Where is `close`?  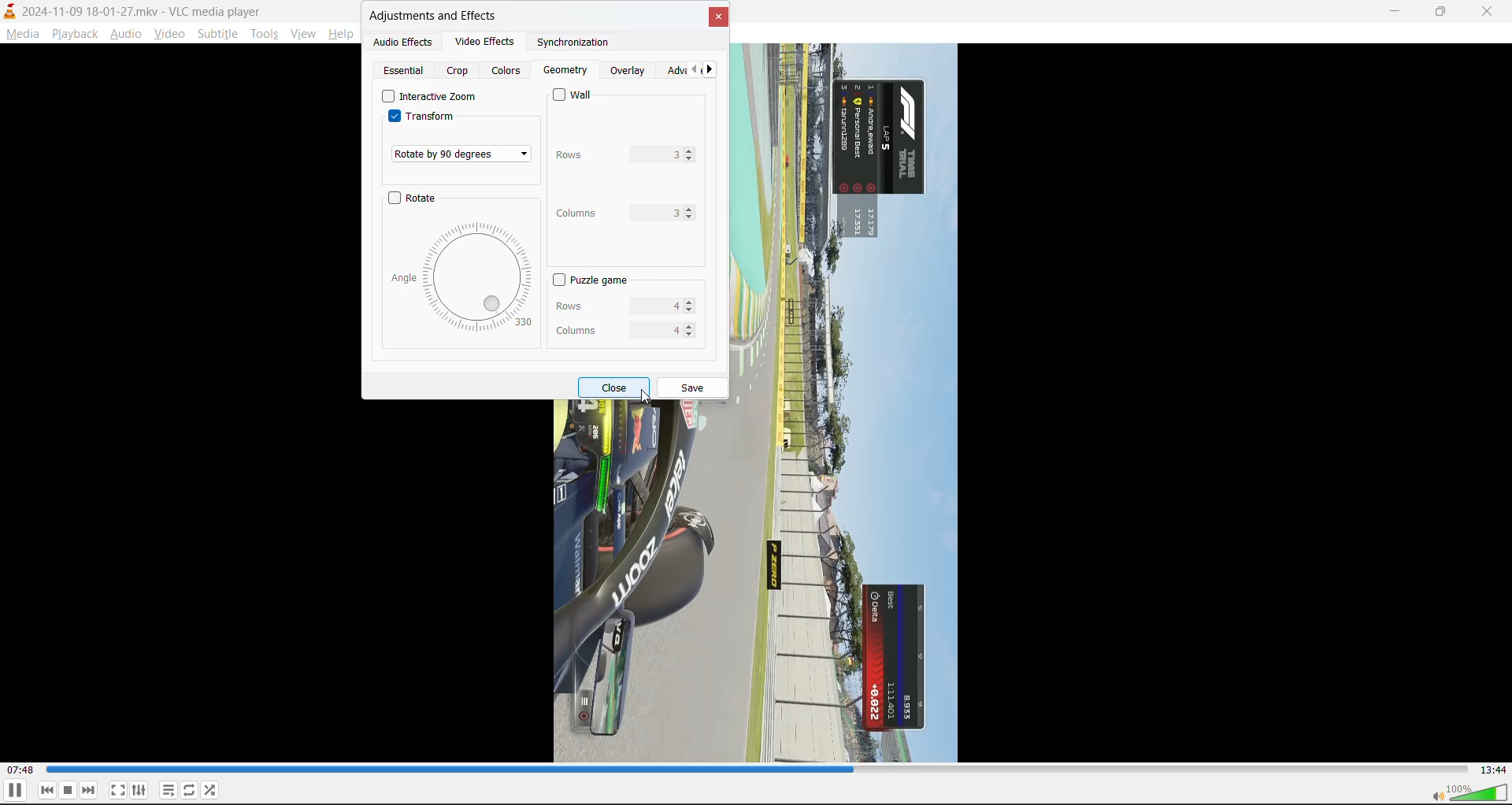
close is located at coordinates (1492, 9).